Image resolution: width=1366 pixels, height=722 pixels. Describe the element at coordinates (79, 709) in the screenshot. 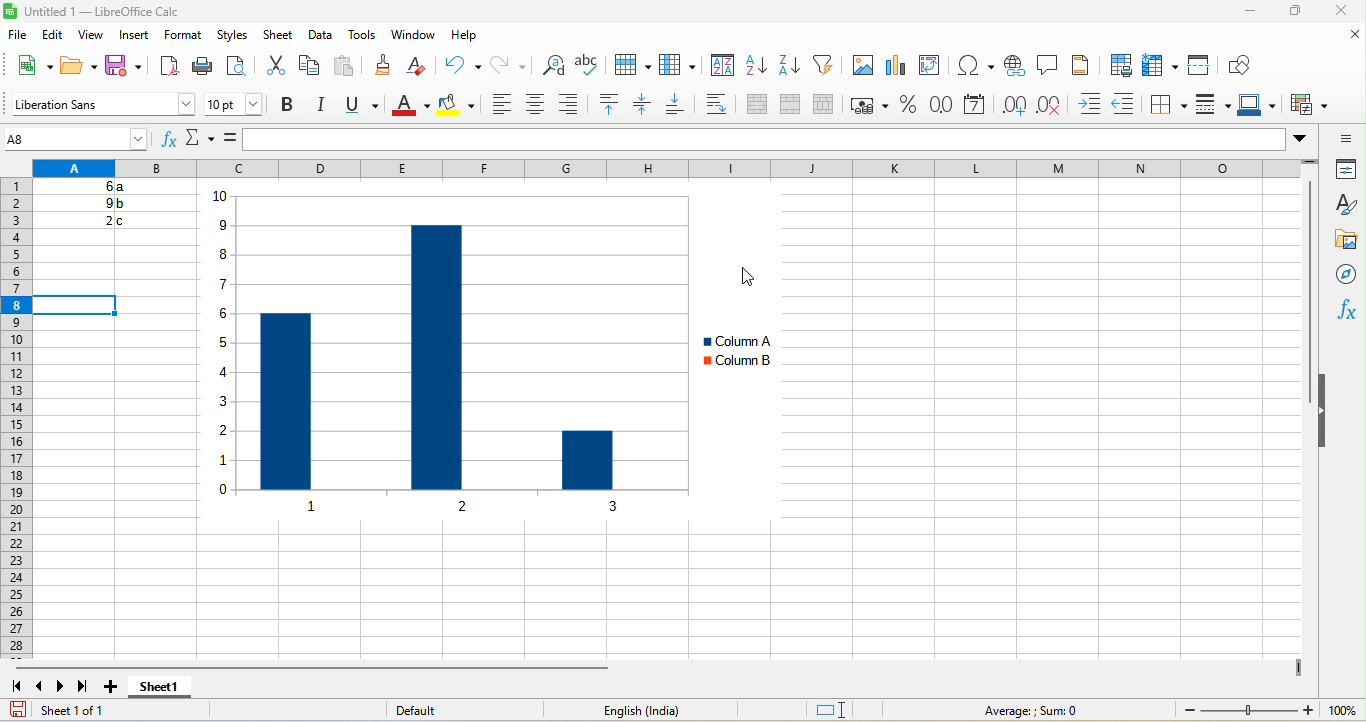

I see `sheet 1 of 1` at that location.